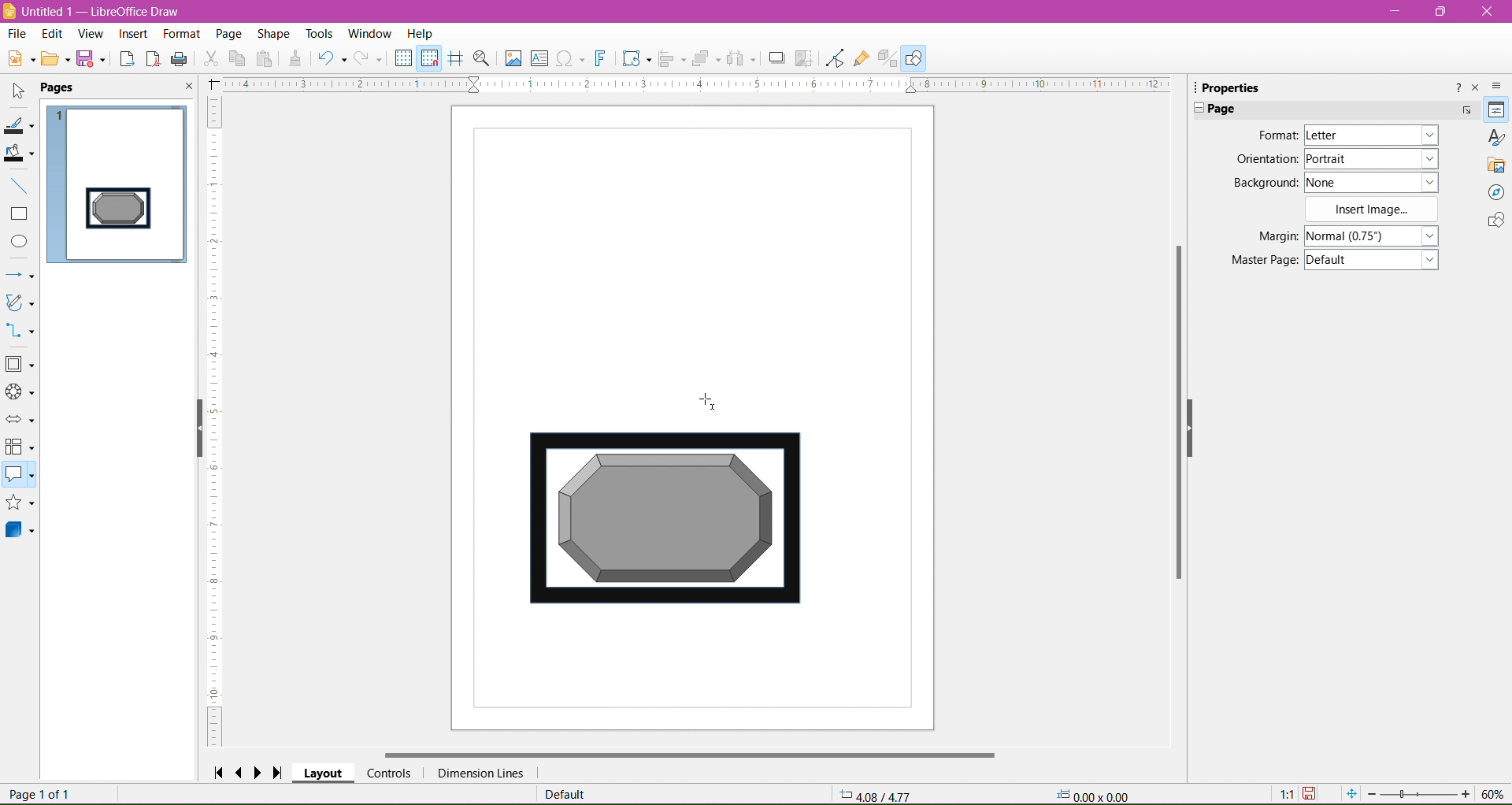 The image size is (1512, 805). What do you see at coordinates (1495, 110) in the screenshot?
I see `Properties` at bounding box center [1495, 110].